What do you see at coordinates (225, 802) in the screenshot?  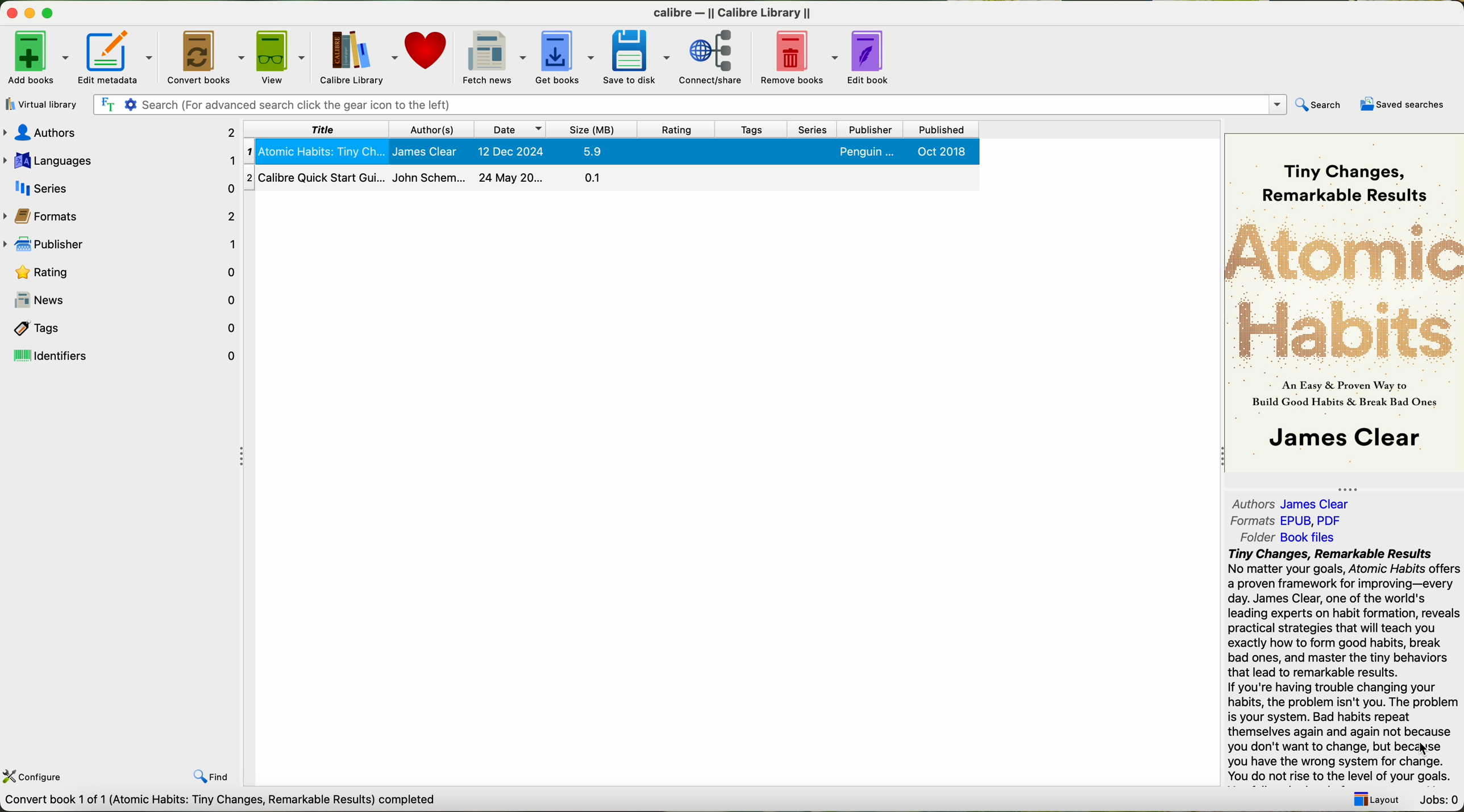 I see `data` at bounding box center [225, 802].